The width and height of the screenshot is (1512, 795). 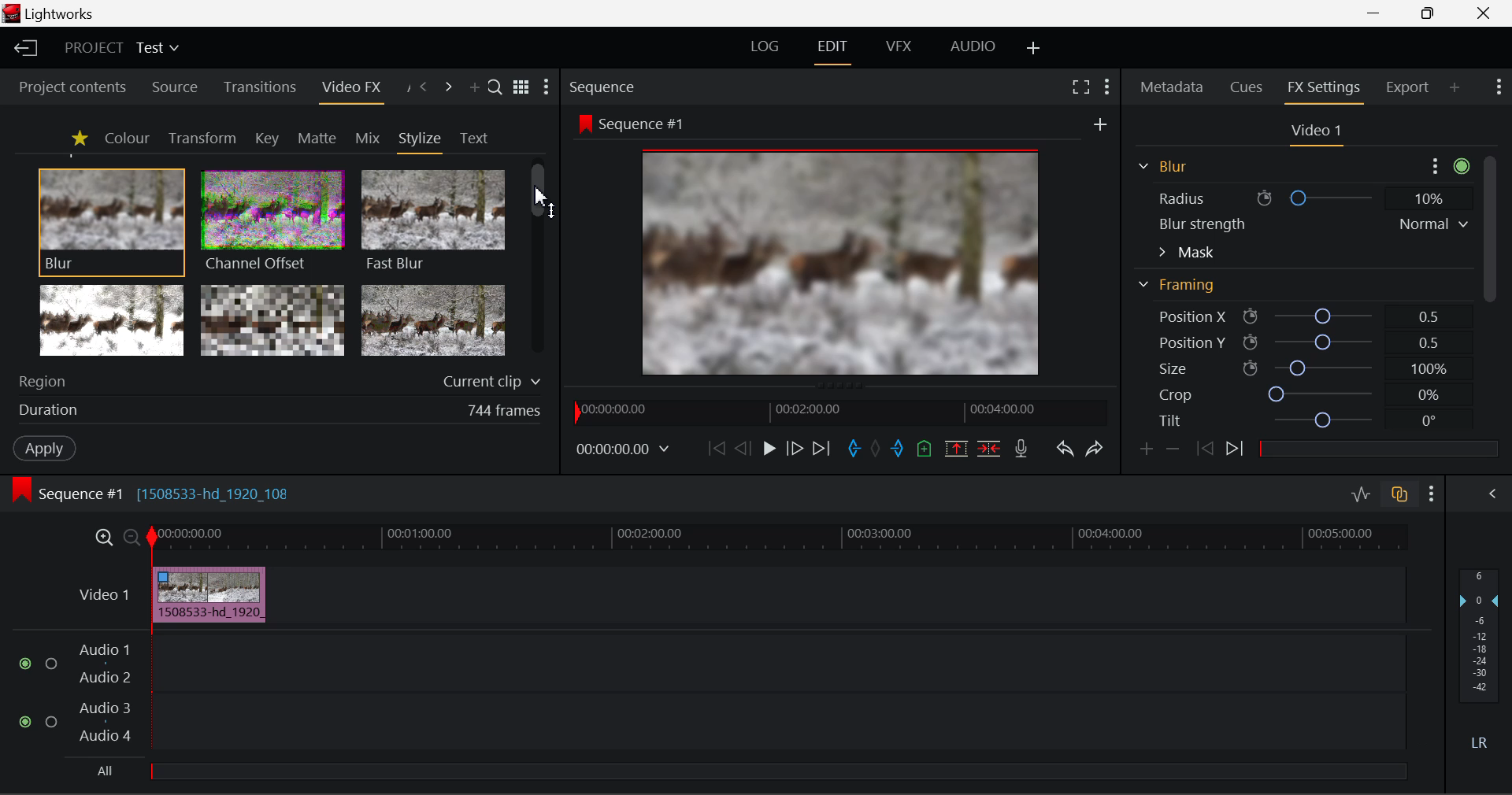 I want to click on Region of Effect, so click(x=273, y=383).